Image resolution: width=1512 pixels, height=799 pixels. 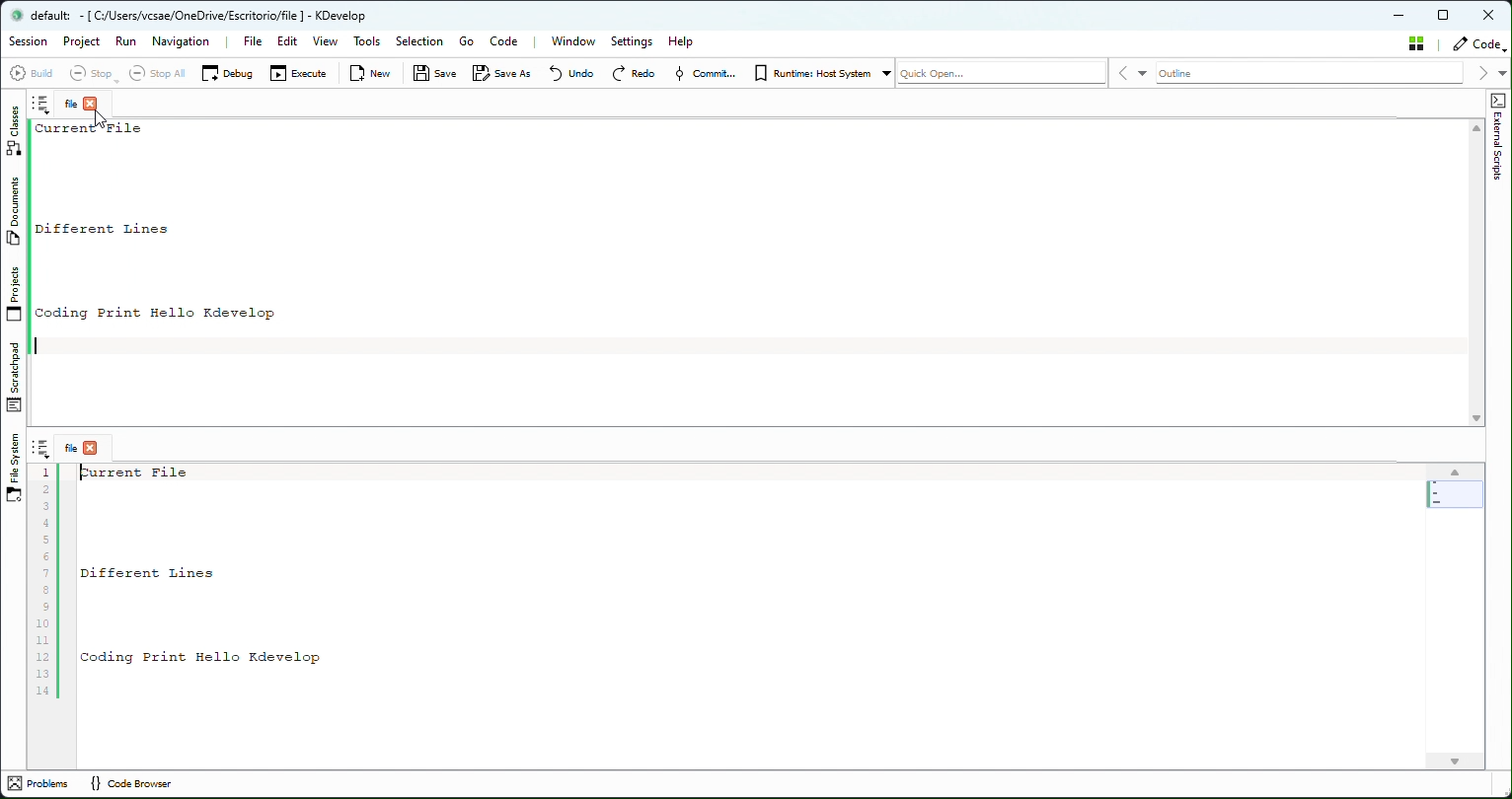 What do you see at coordinates (1488, 14) in the screenshot?
I see `Close` at bounding box center [1488, 14].